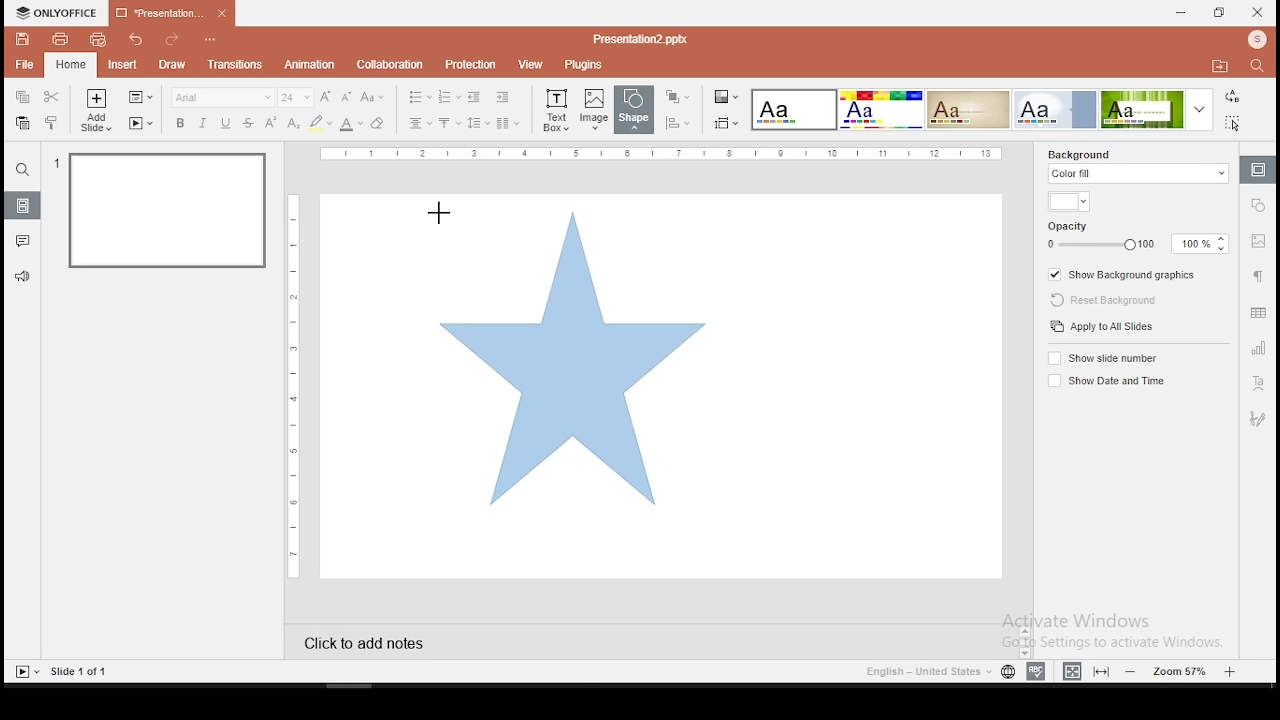  I want to click on restore, so click(1220, 13).